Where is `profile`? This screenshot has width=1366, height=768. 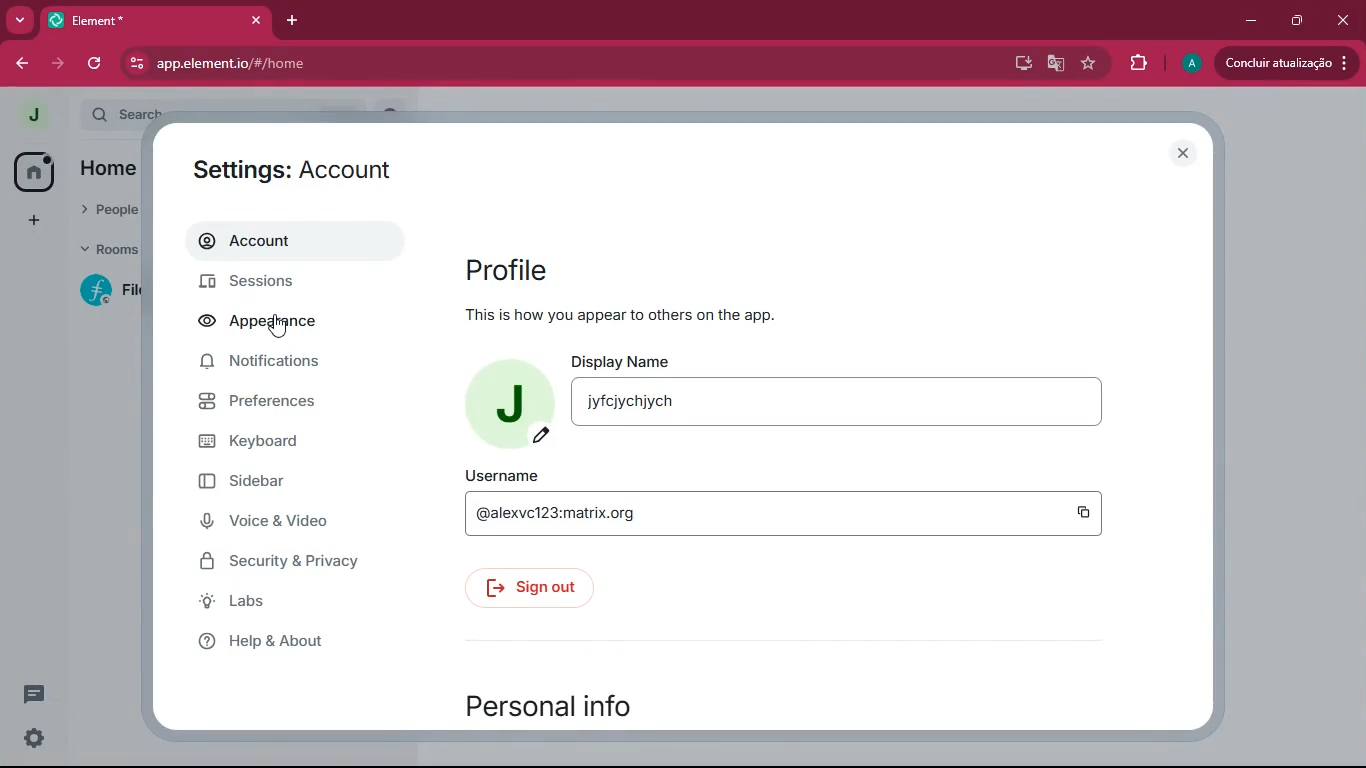 profile is located at coordinates (511, 269).